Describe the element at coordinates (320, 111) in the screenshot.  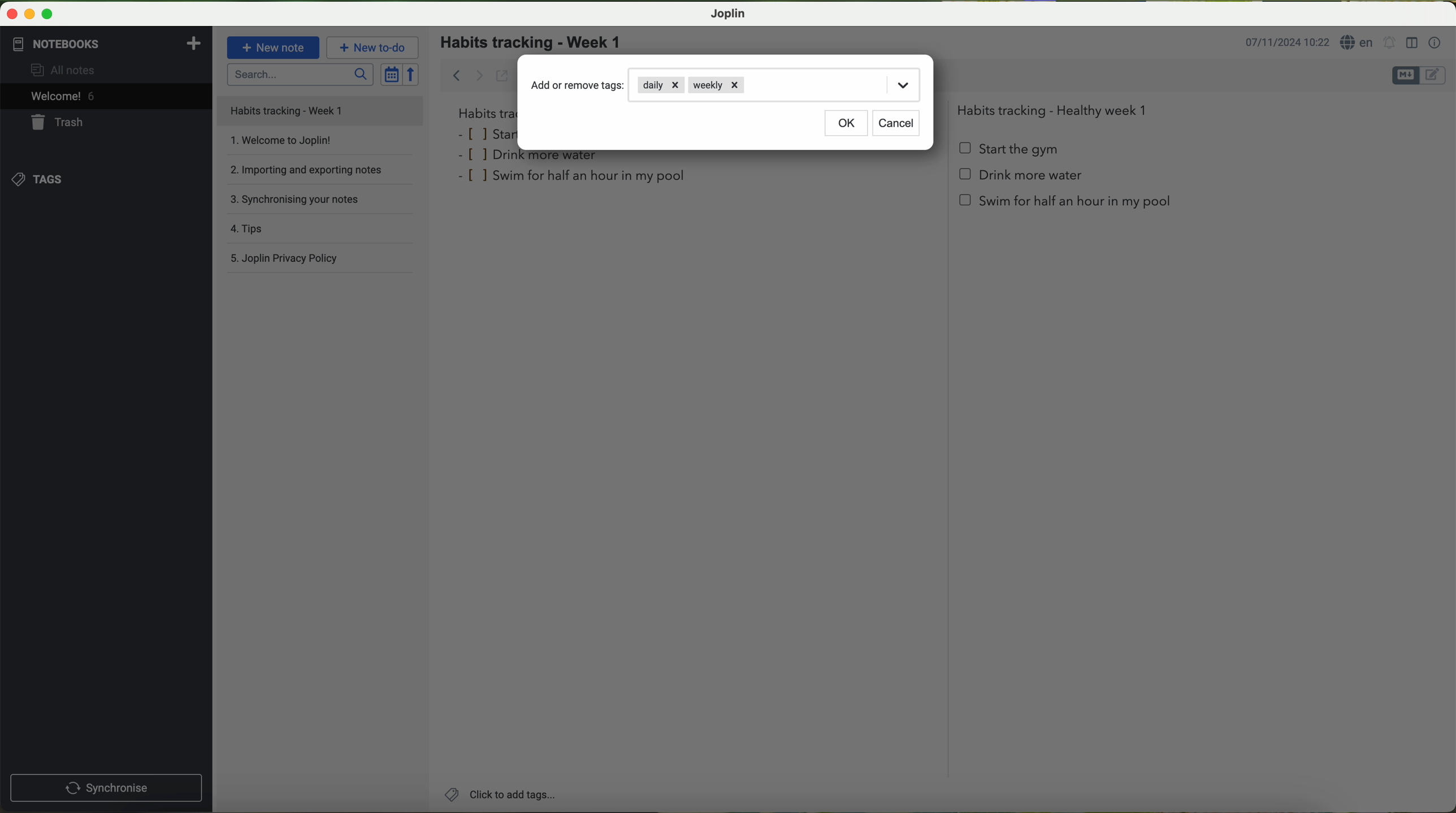
I see `file title` at that location.